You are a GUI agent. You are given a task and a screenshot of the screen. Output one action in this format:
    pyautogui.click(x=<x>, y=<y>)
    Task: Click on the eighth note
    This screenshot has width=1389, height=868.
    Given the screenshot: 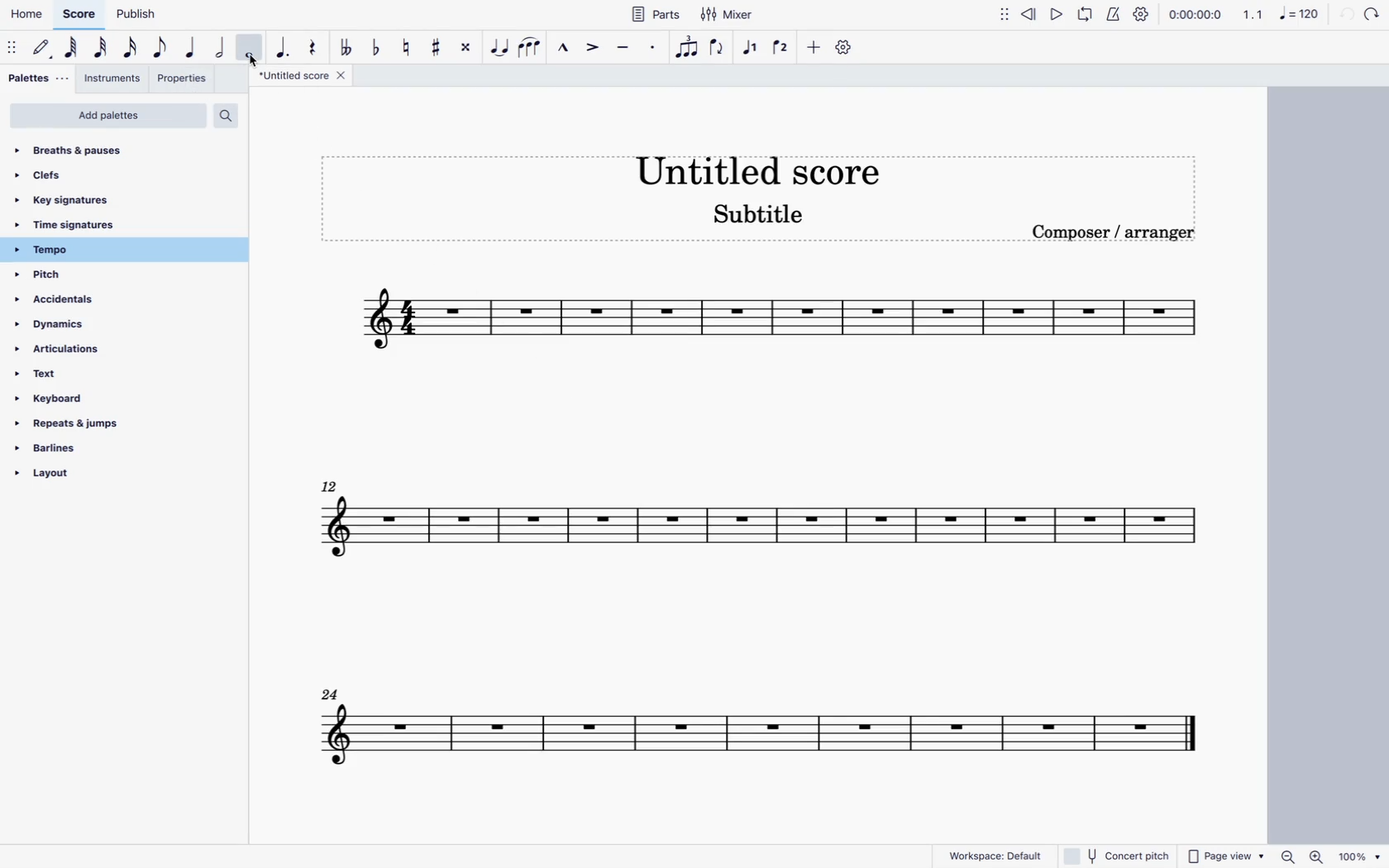 What is the action you would take?
    pyautogui.click(x=161, y=47)
    